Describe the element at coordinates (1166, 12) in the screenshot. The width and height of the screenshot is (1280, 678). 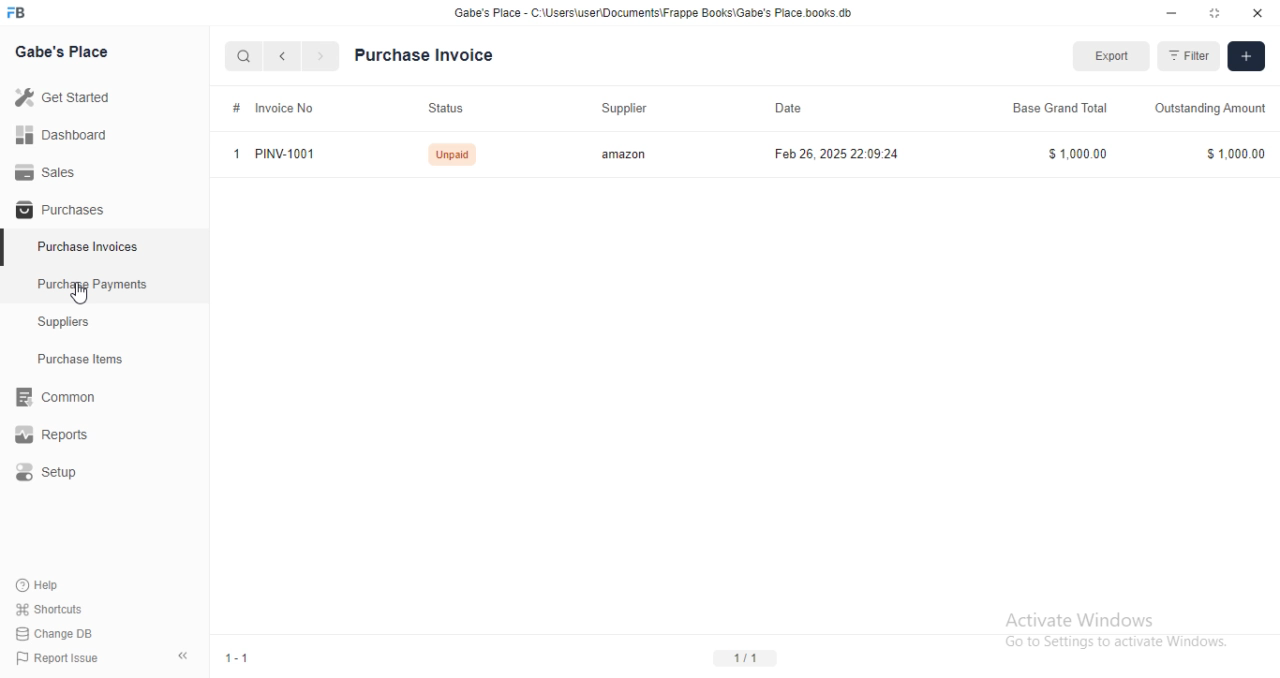
I see `minimize` at that location.